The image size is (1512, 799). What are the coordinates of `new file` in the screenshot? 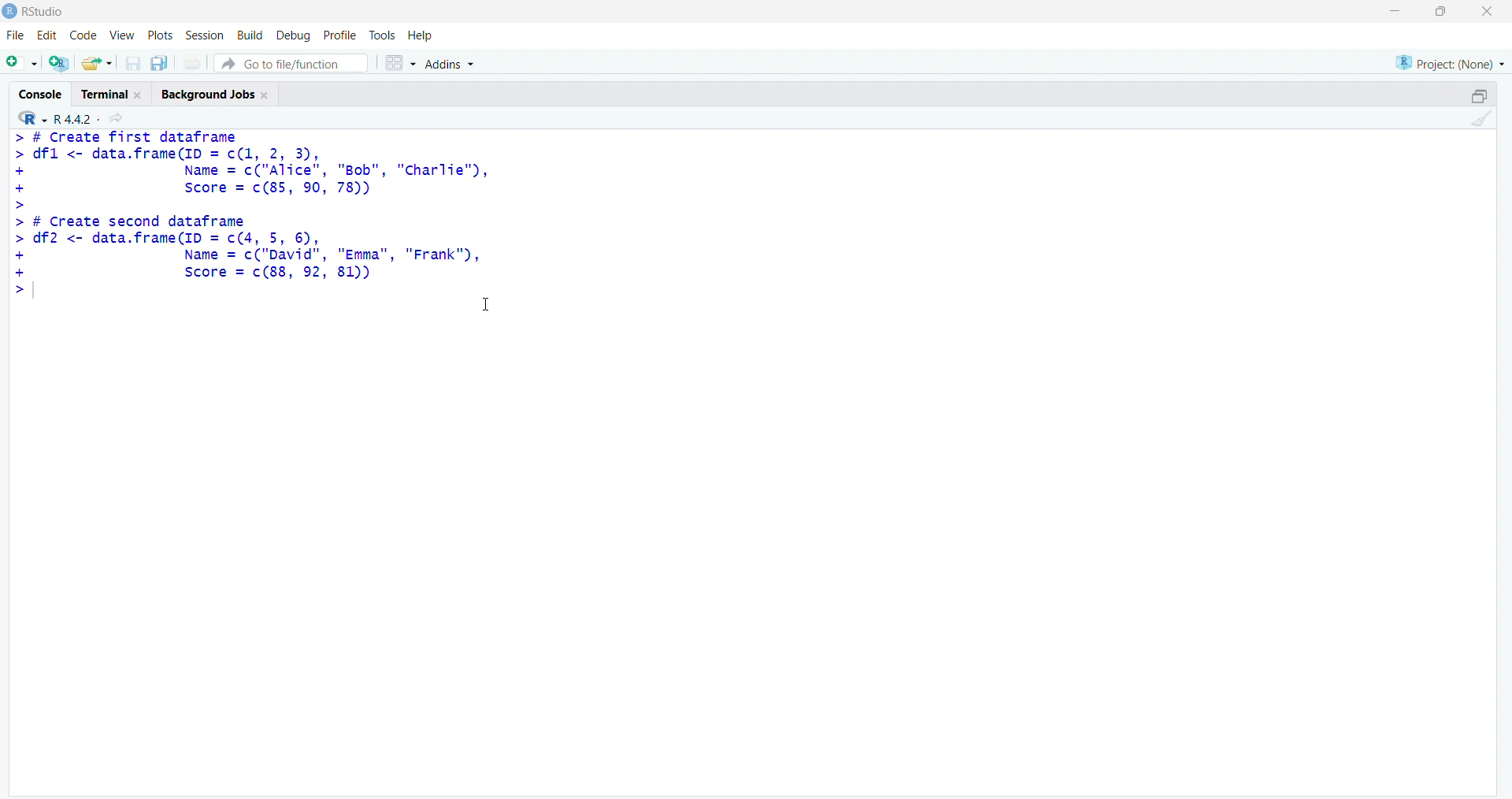 It's located at (23, 64).